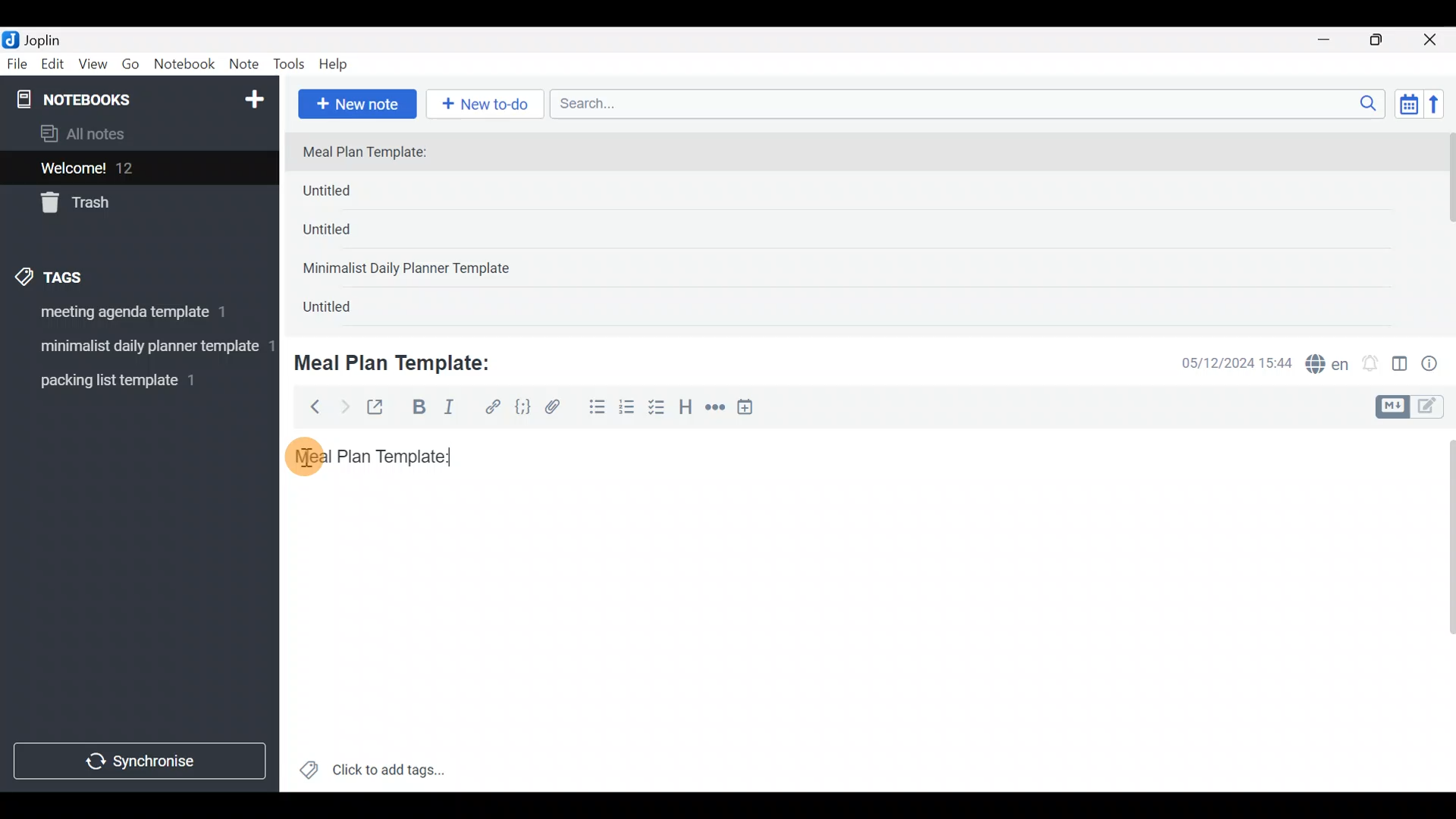 This screenshot has height=819, width=1456. What do you see at coordinates (352, 194) in the screenshot?
I see `Untitled` at bounding box center [352, 194].